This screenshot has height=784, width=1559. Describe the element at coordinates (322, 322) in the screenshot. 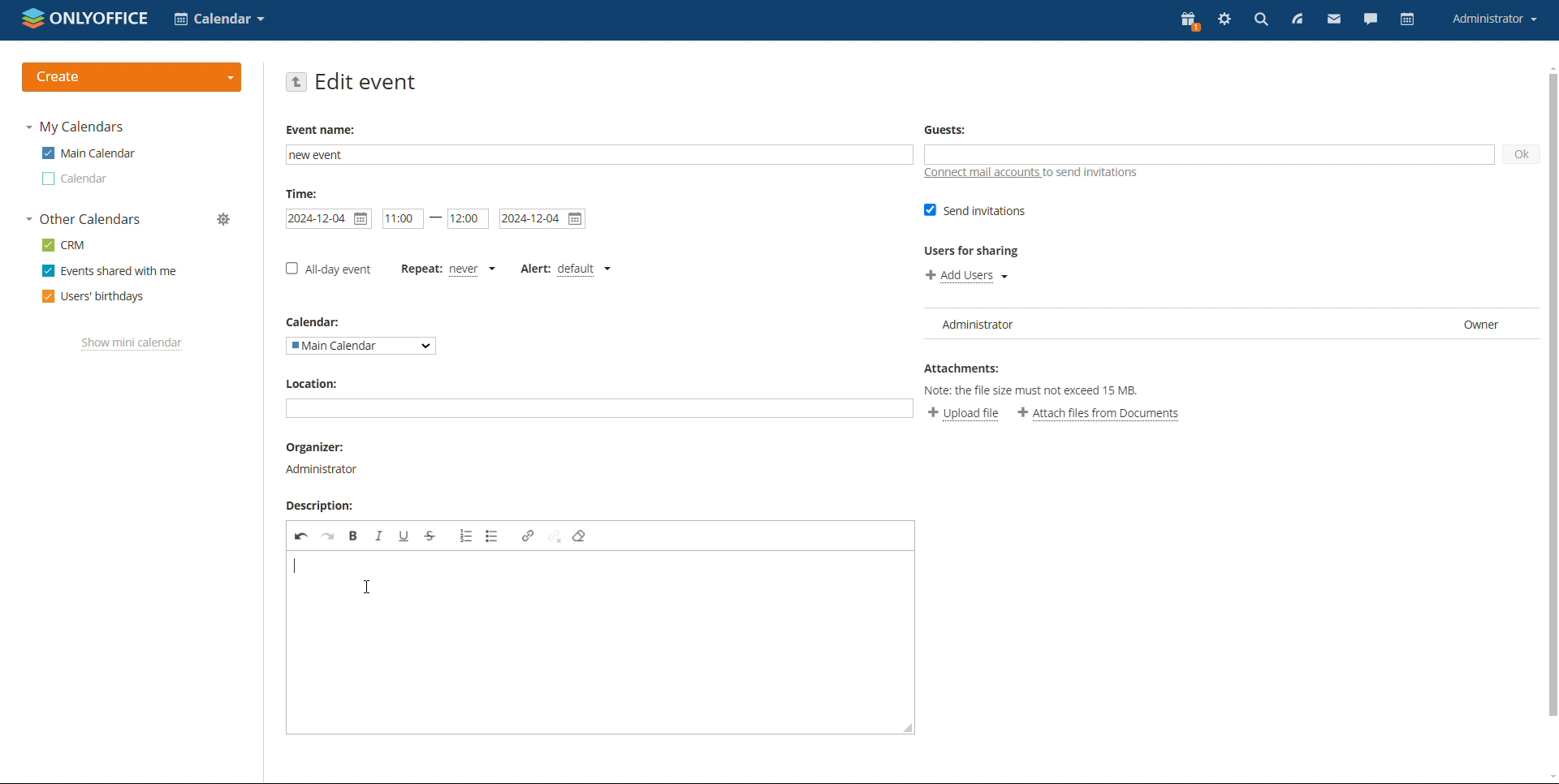

I see `Calendar:` at that location.